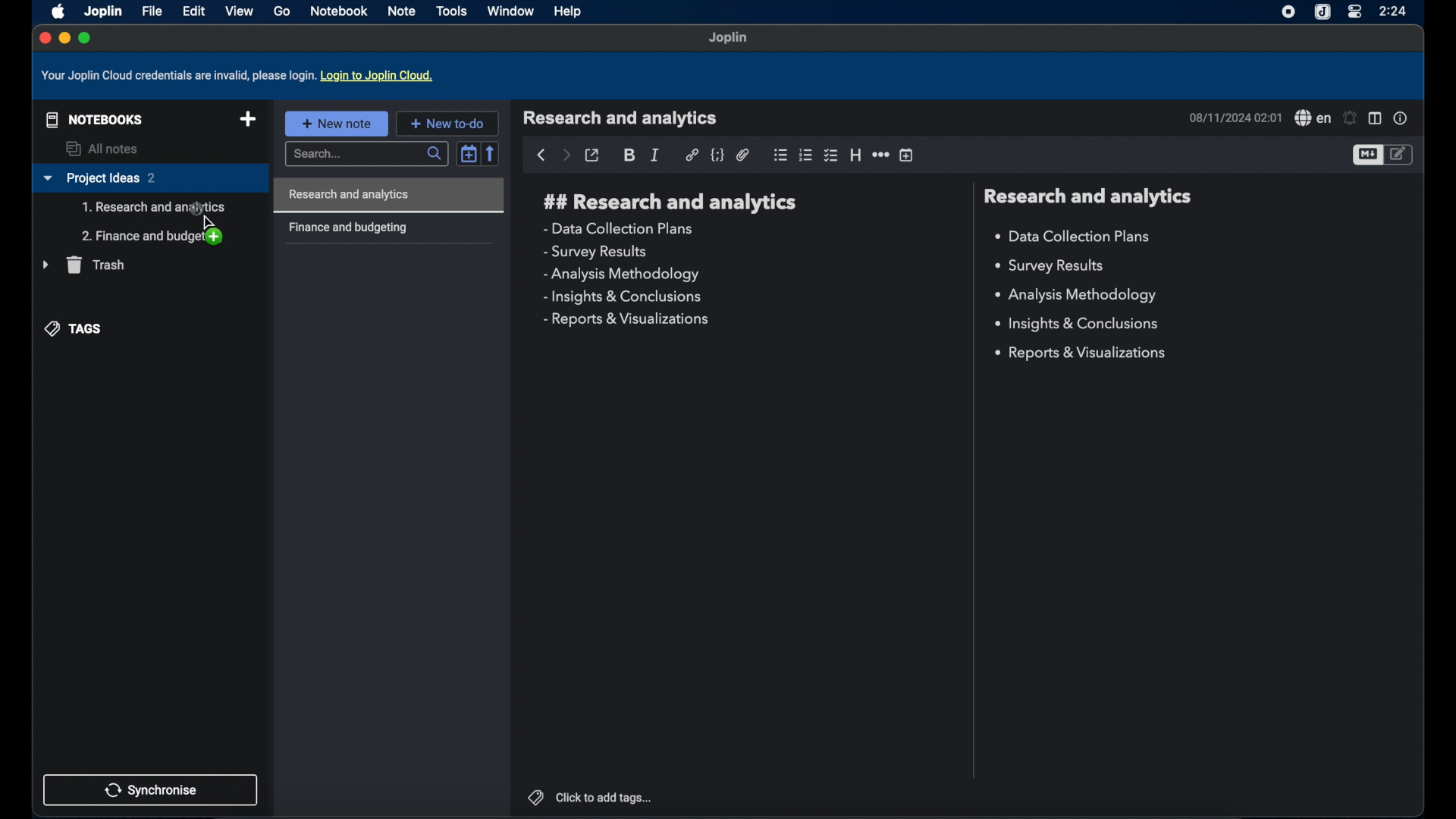 The height and width of the screenshot is (819, 1456). What do you see at coordinates (281, 11) in the screenshot?
I see `go` at bounding box center [281, 11].